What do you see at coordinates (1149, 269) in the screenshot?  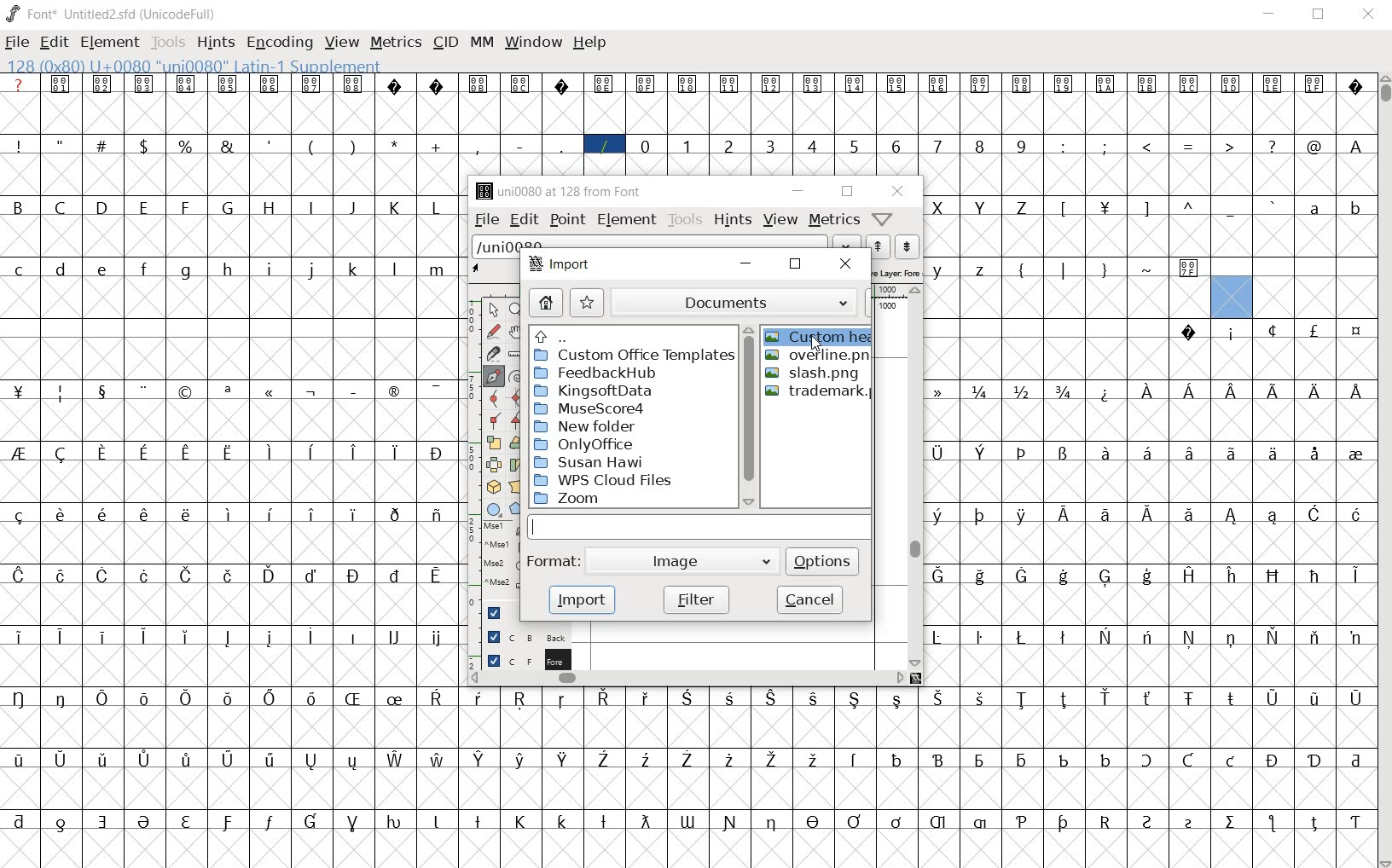 I see `glyph` at bounding box center [1149, 269].